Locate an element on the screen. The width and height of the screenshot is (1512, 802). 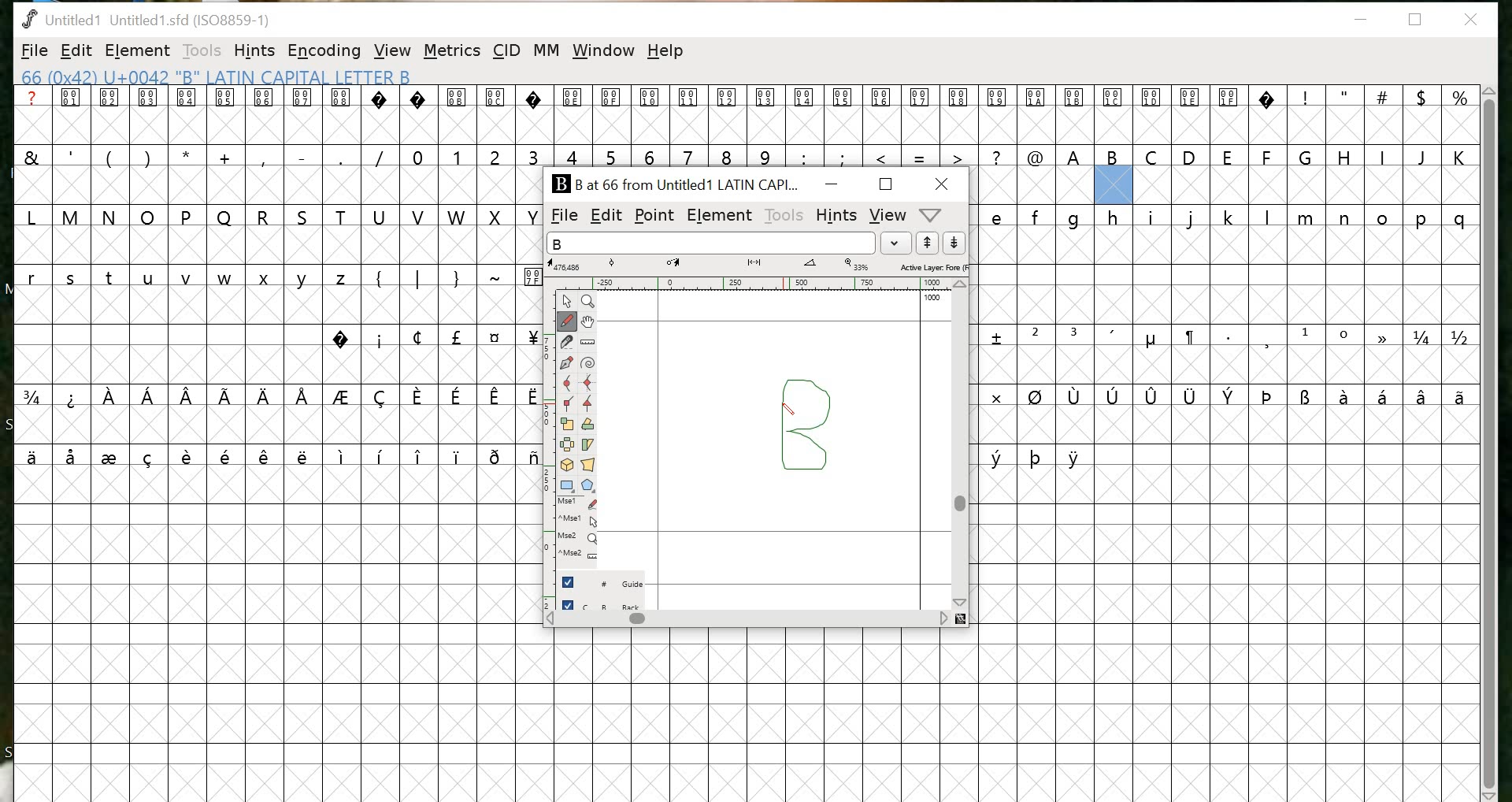
maximize is located at coordinates (884, 184).